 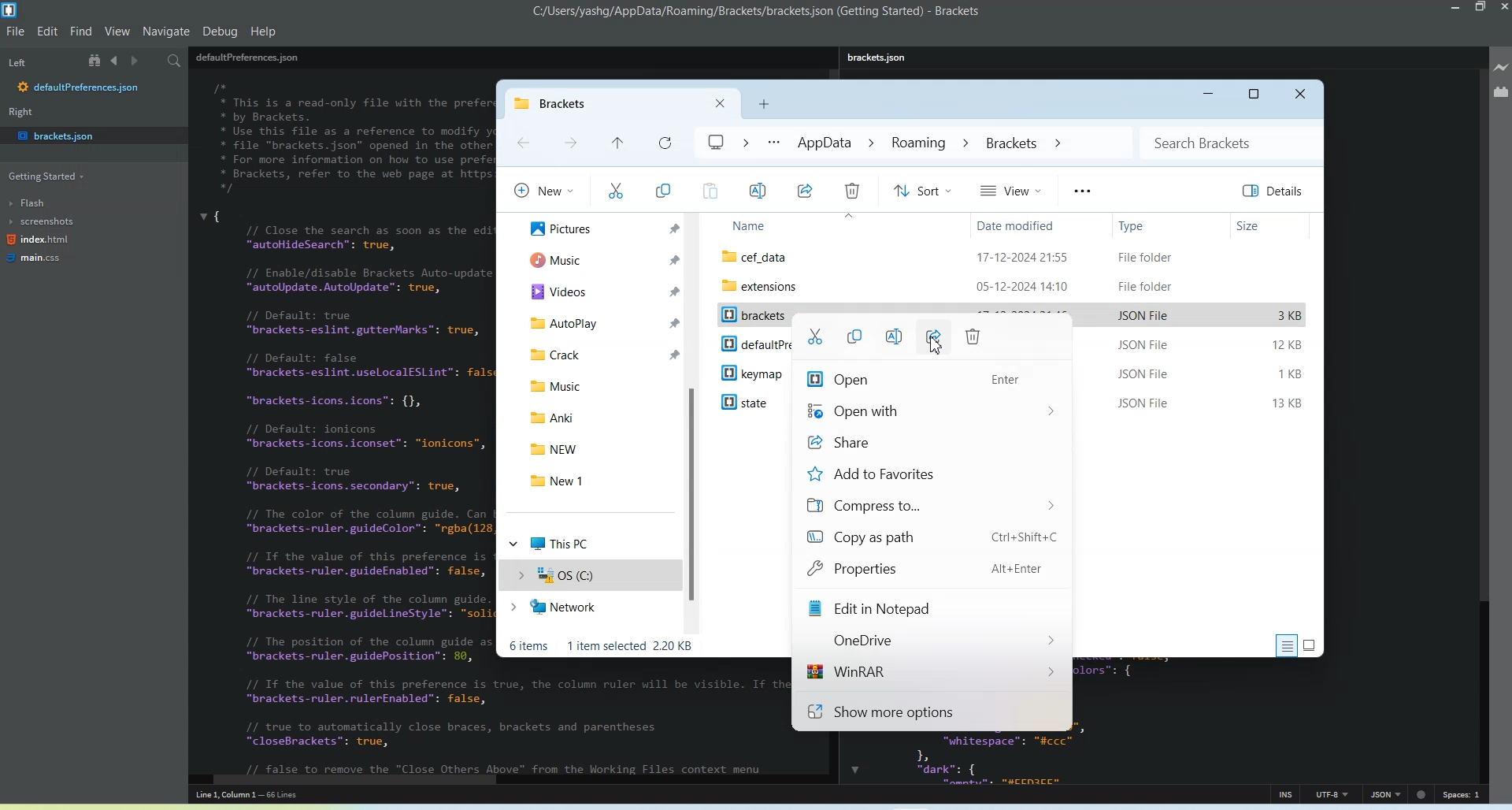 What do you see at coordinates (17, 62) in the screenshot?
I see `Left` at bounding box center [17, 62].